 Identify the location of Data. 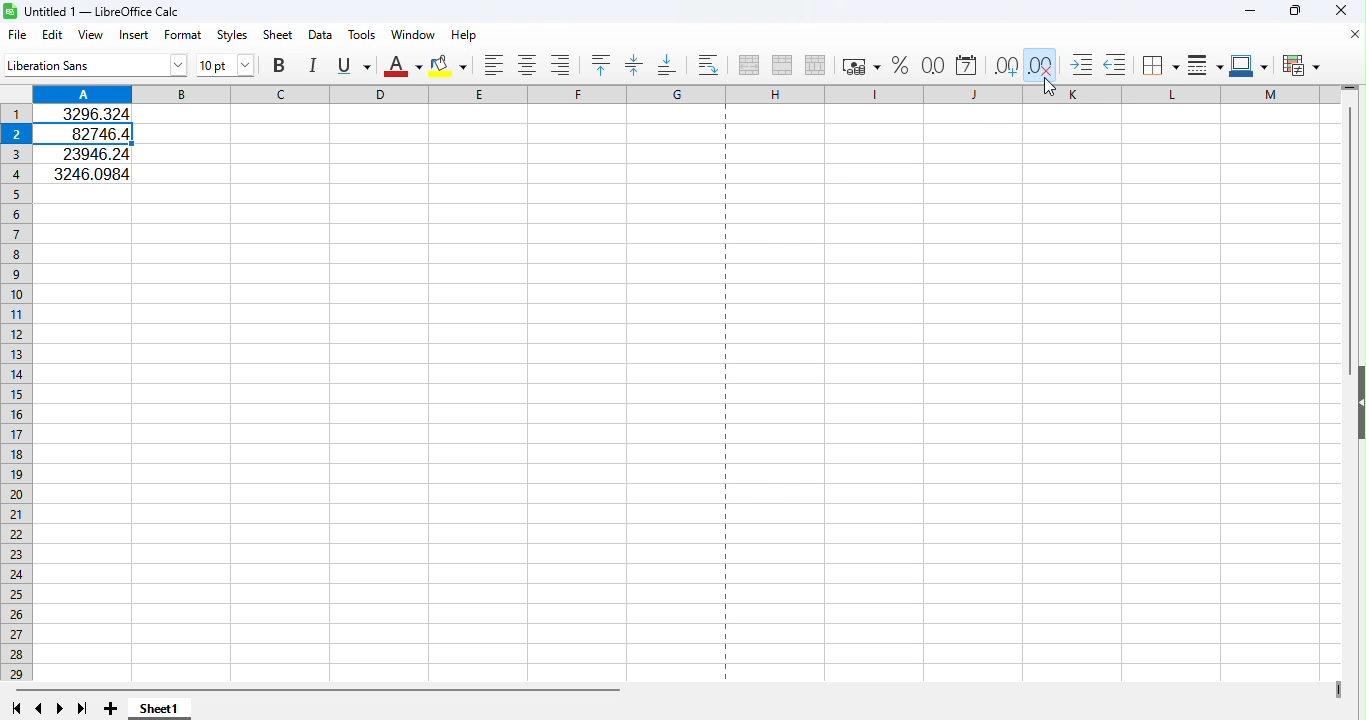
(319, 36).